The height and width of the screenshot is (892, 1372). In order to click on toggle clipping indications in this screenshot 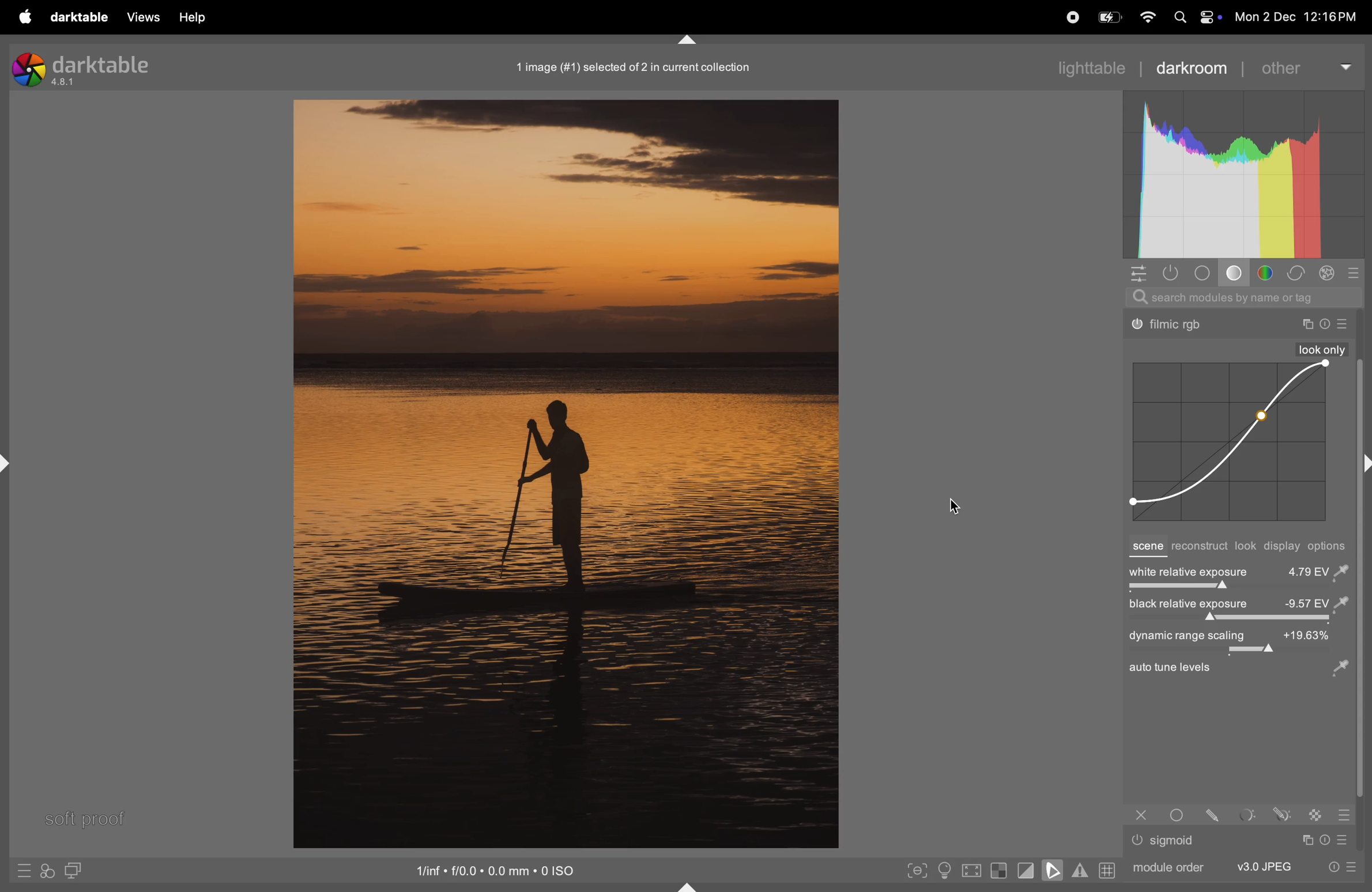, I will do `click(1026, 870)`.